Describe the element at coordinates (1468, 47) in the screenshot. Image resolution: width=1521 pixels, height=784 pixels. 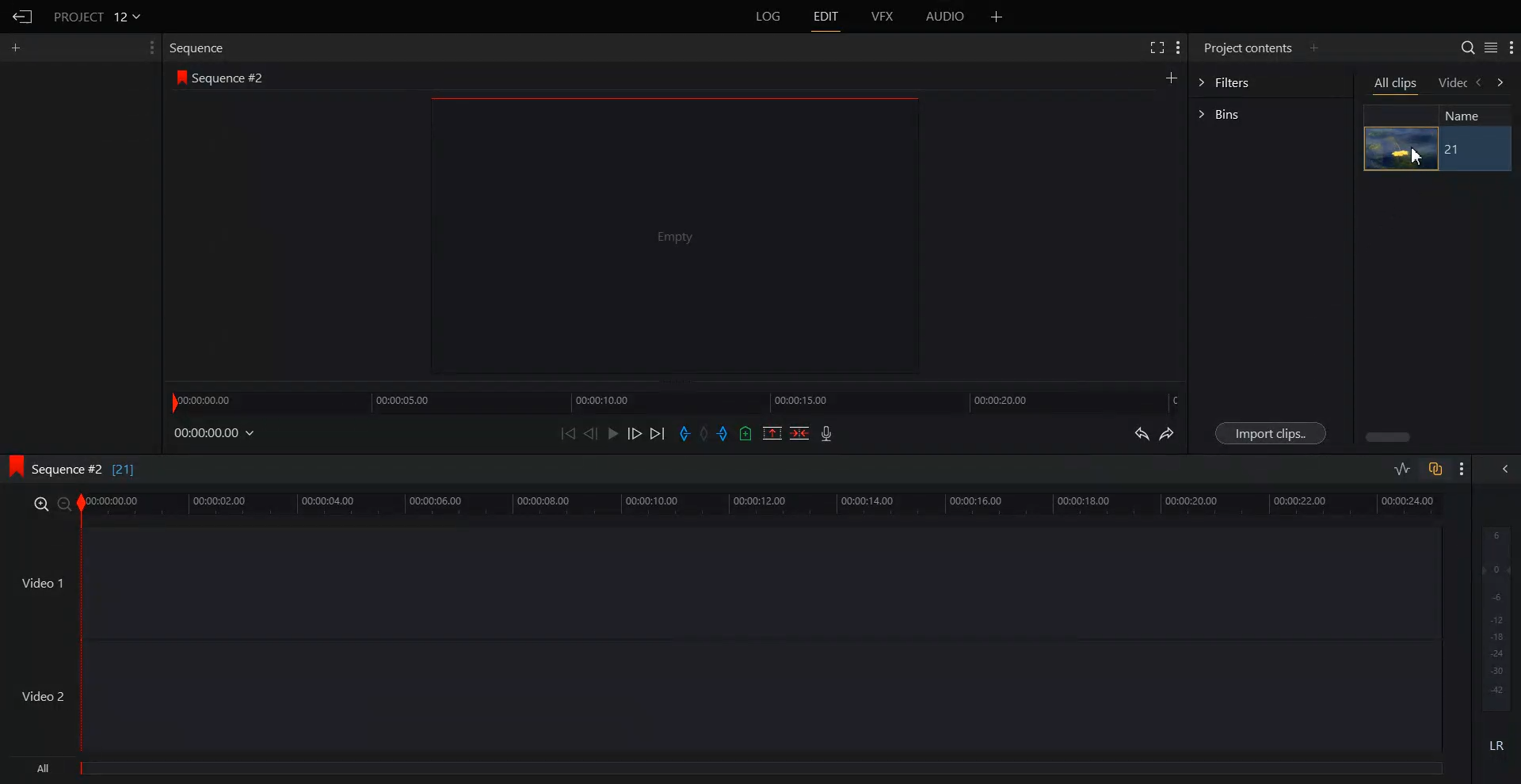
I see `Search` at that location.